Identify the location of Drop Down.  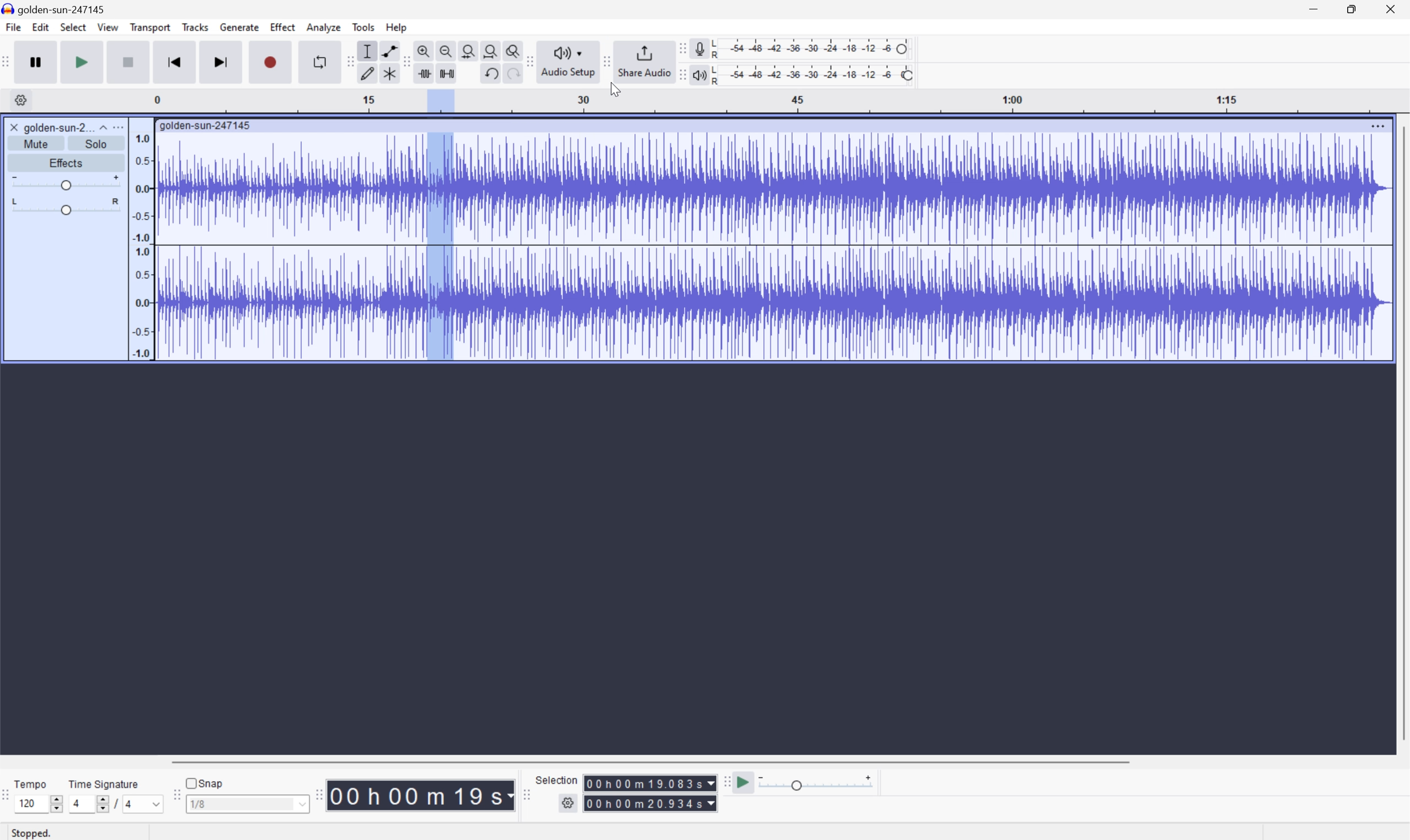
(152, 804).